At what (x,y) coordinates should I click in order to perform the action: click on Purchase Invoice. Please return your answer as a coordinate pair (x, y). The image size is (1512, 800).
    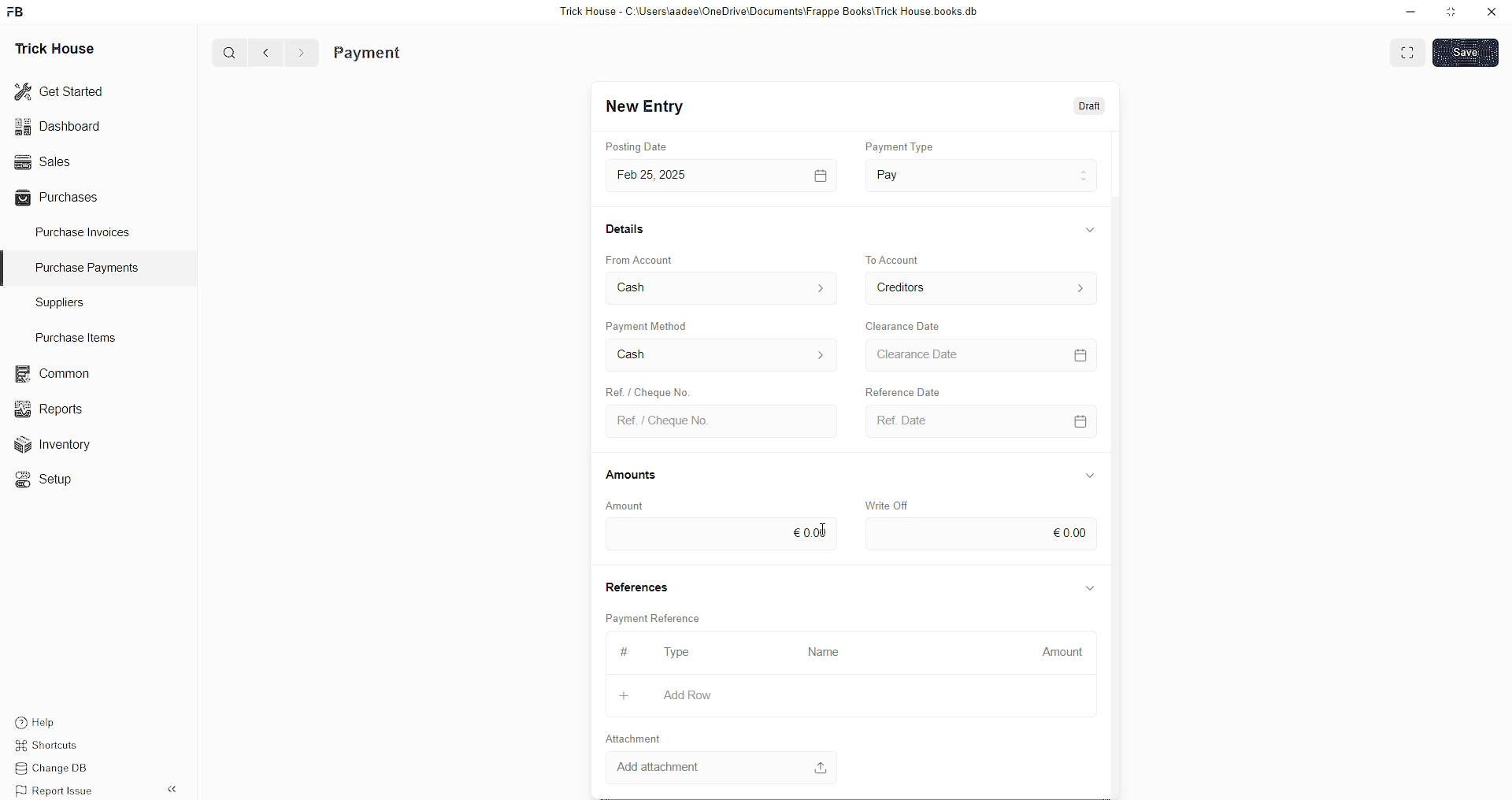
    Looking at the image, I should click on (406, 53).